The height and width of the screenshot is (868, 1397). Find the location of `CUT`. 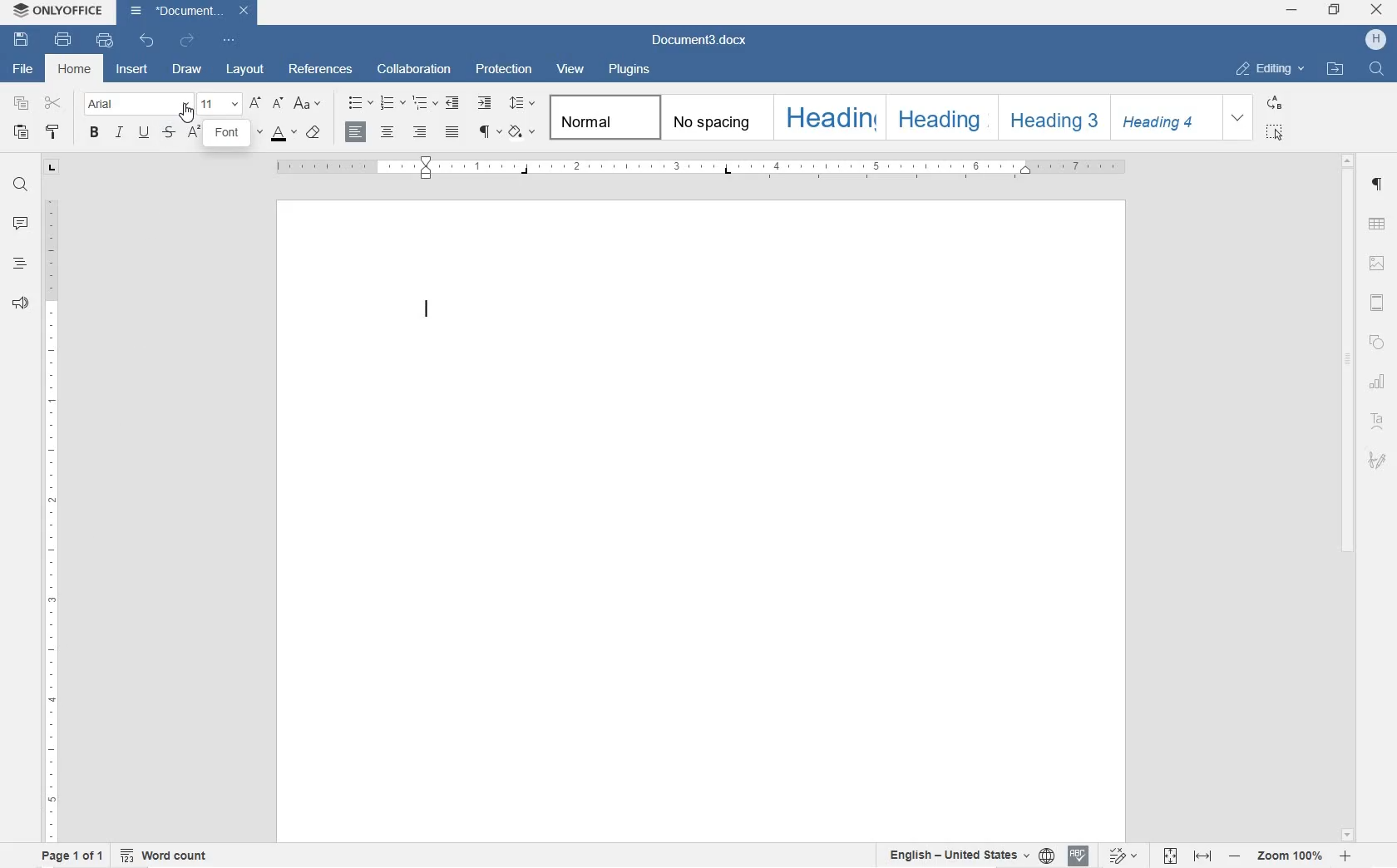

CUT is located at coordinates (53, 103).